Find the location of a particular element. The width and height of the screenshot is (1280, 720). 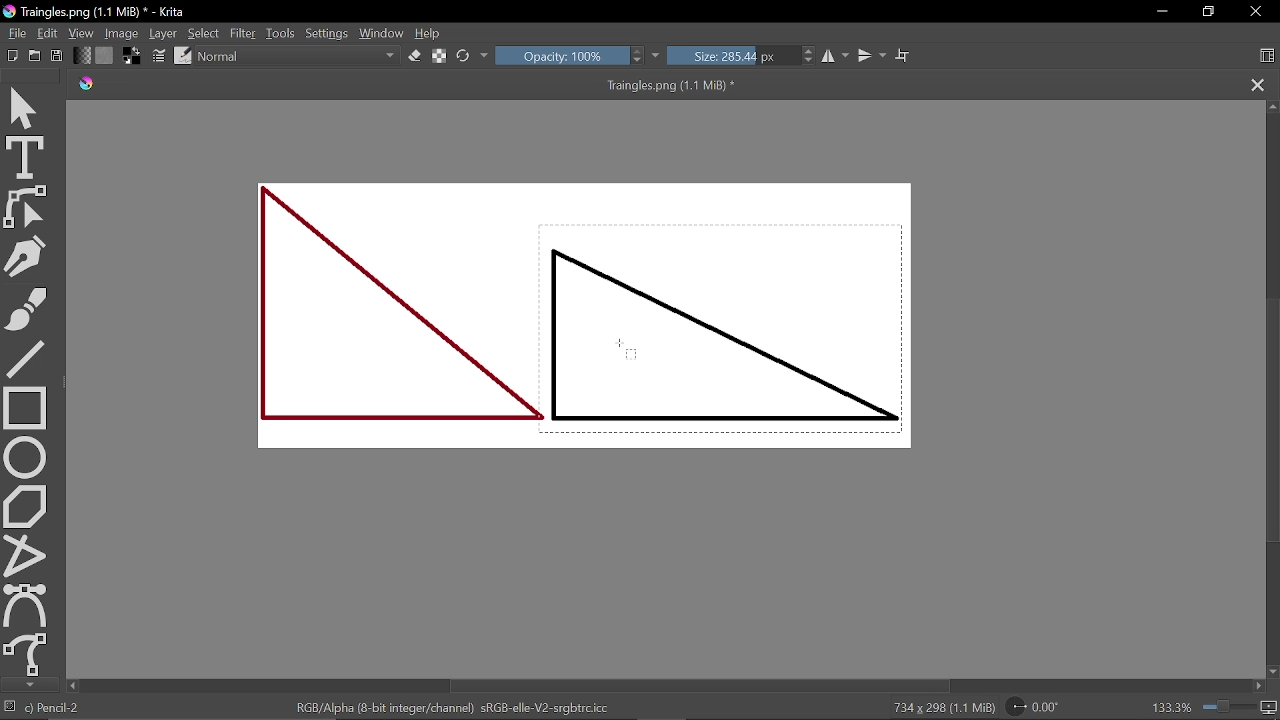

Close tab is located at coordinates (1256, 84).